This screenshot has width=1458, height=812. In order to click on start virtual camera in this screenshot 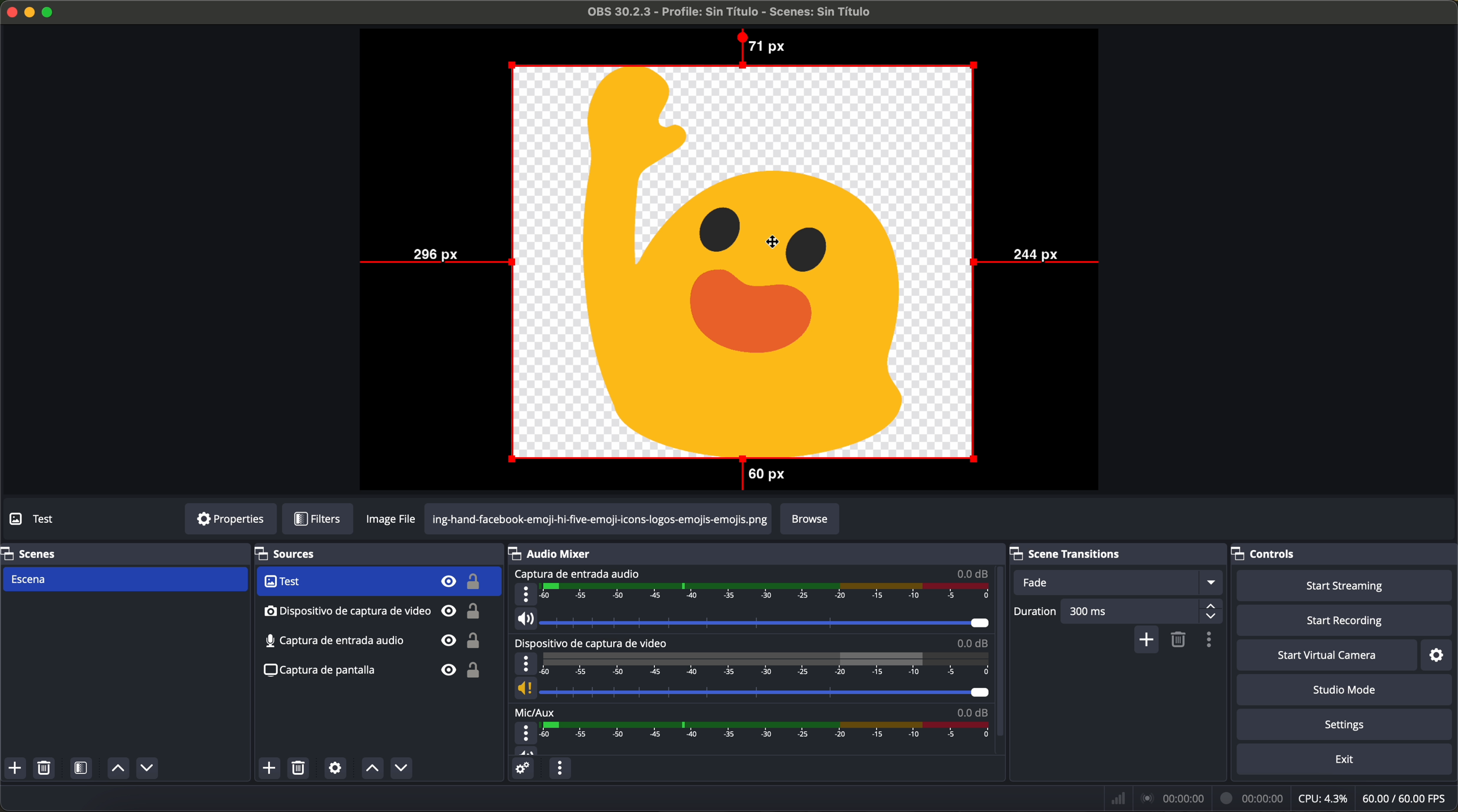, I will do `click(1327, 655)`.